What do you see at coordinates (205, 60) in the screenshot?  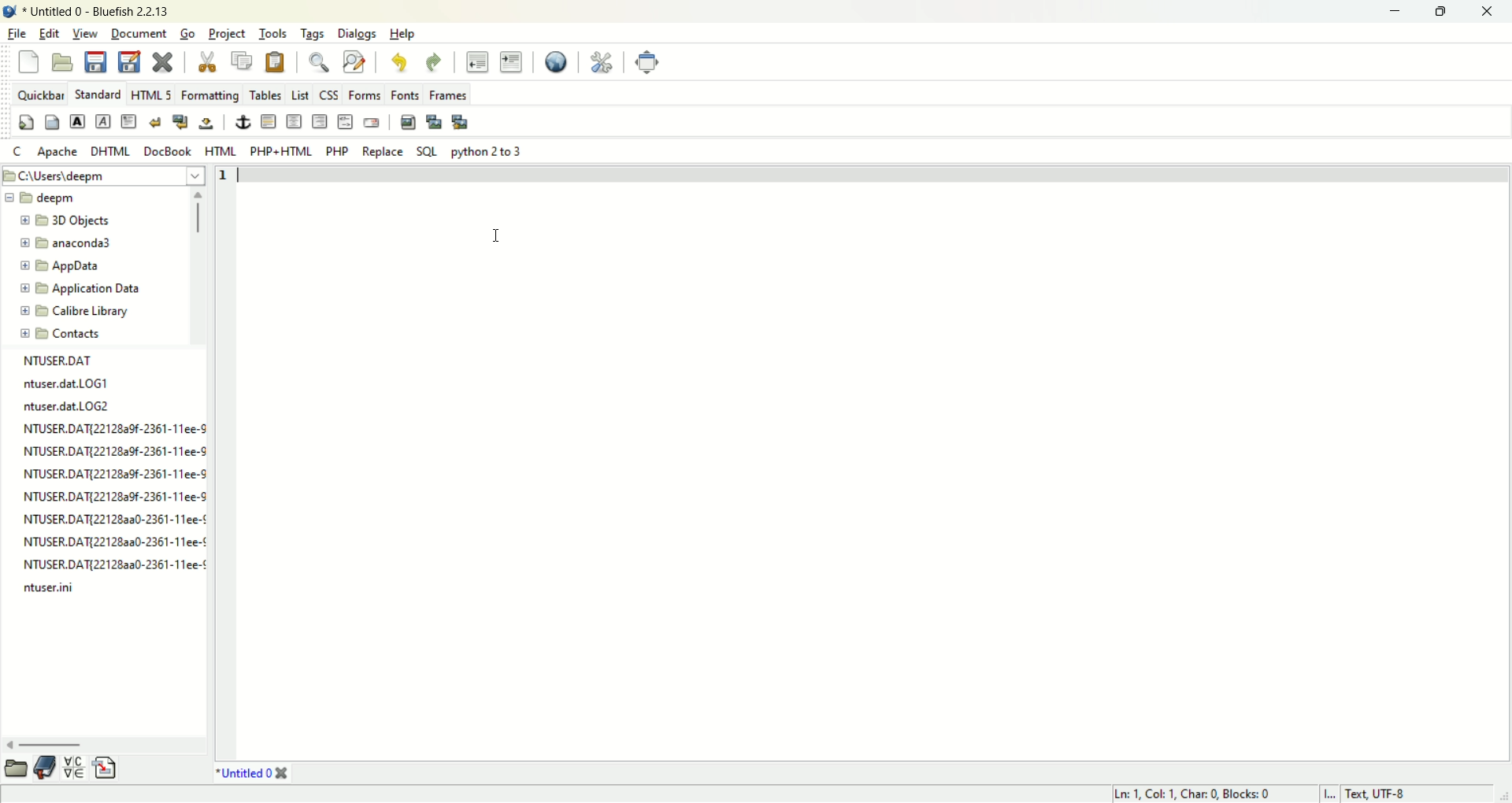 I see `cut` at bounding box center [205, 60].